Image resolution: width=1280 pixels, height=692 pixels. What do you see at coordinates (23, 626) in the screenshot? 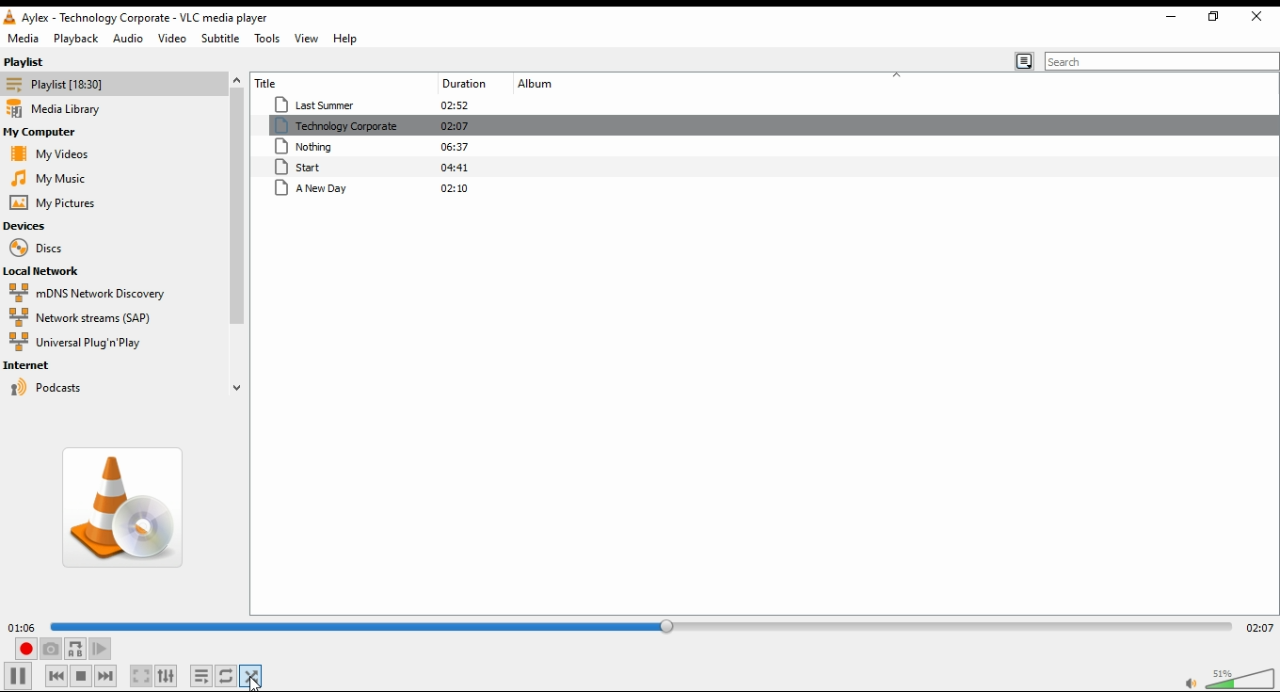
I see `01:06` at bounding box center [23, 626].